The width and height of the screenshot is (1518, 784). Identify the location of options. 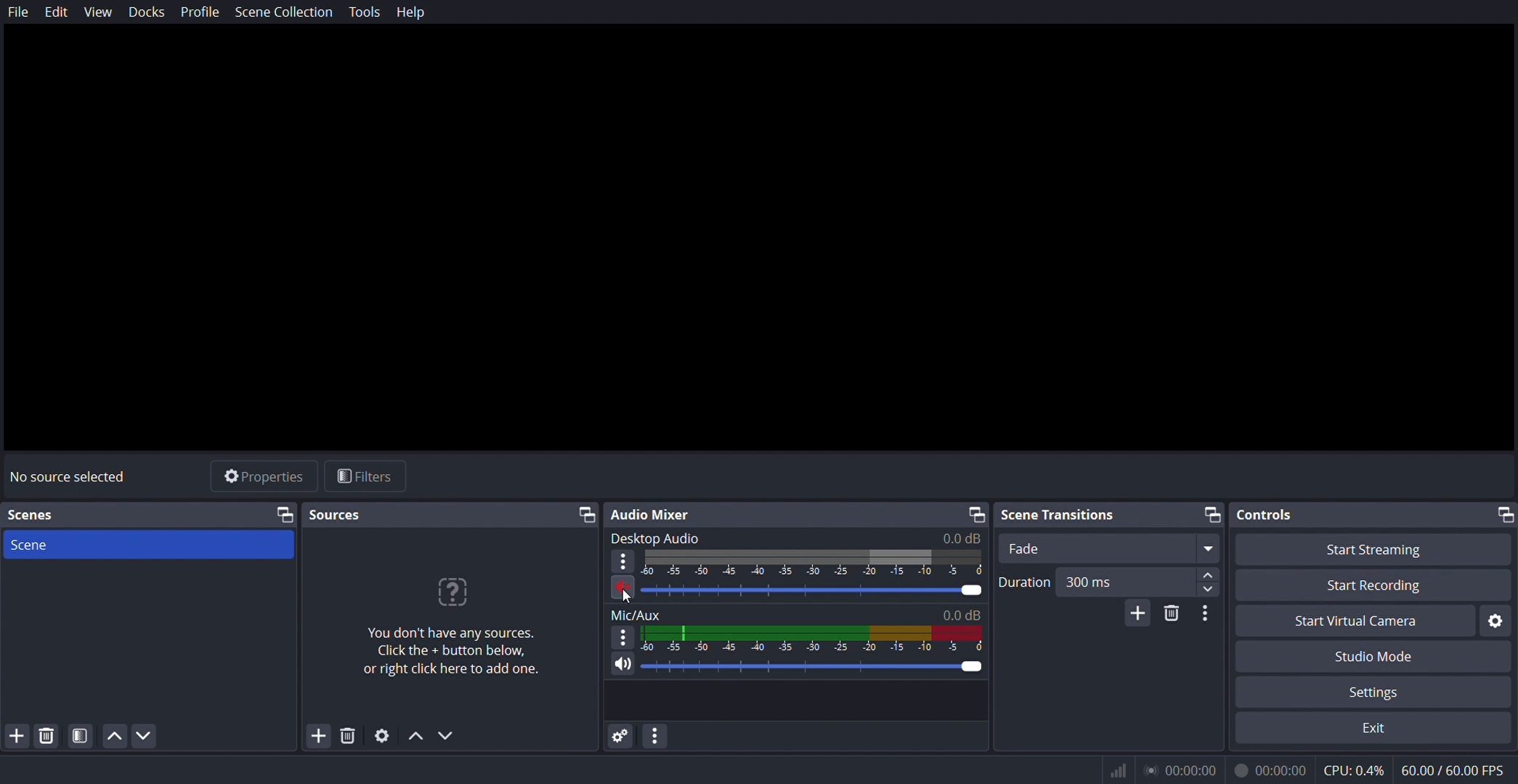
(622, 563).